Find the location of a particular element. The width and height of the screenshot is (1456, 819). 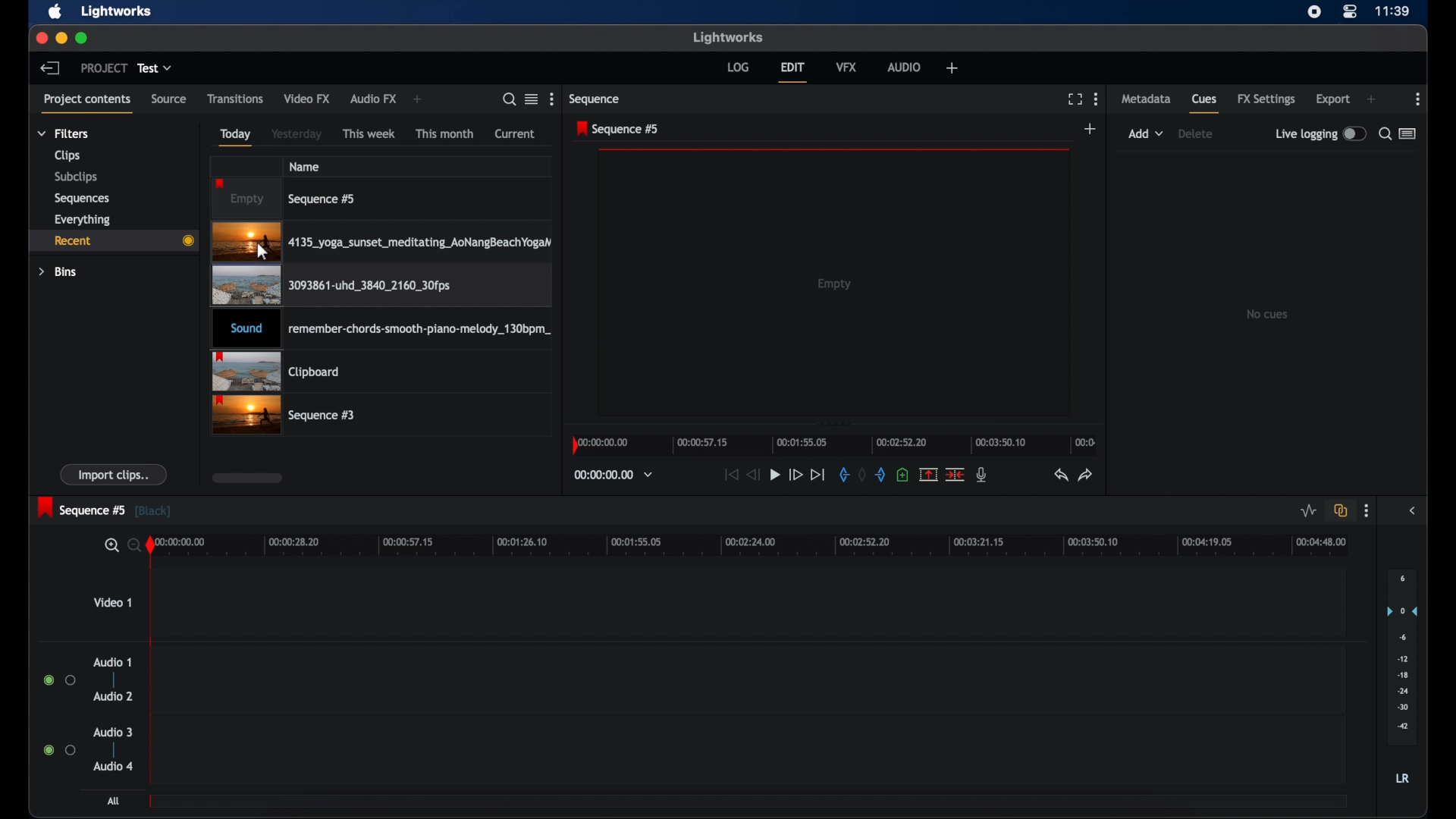

audio 1 is located at coordinates (113, 662).